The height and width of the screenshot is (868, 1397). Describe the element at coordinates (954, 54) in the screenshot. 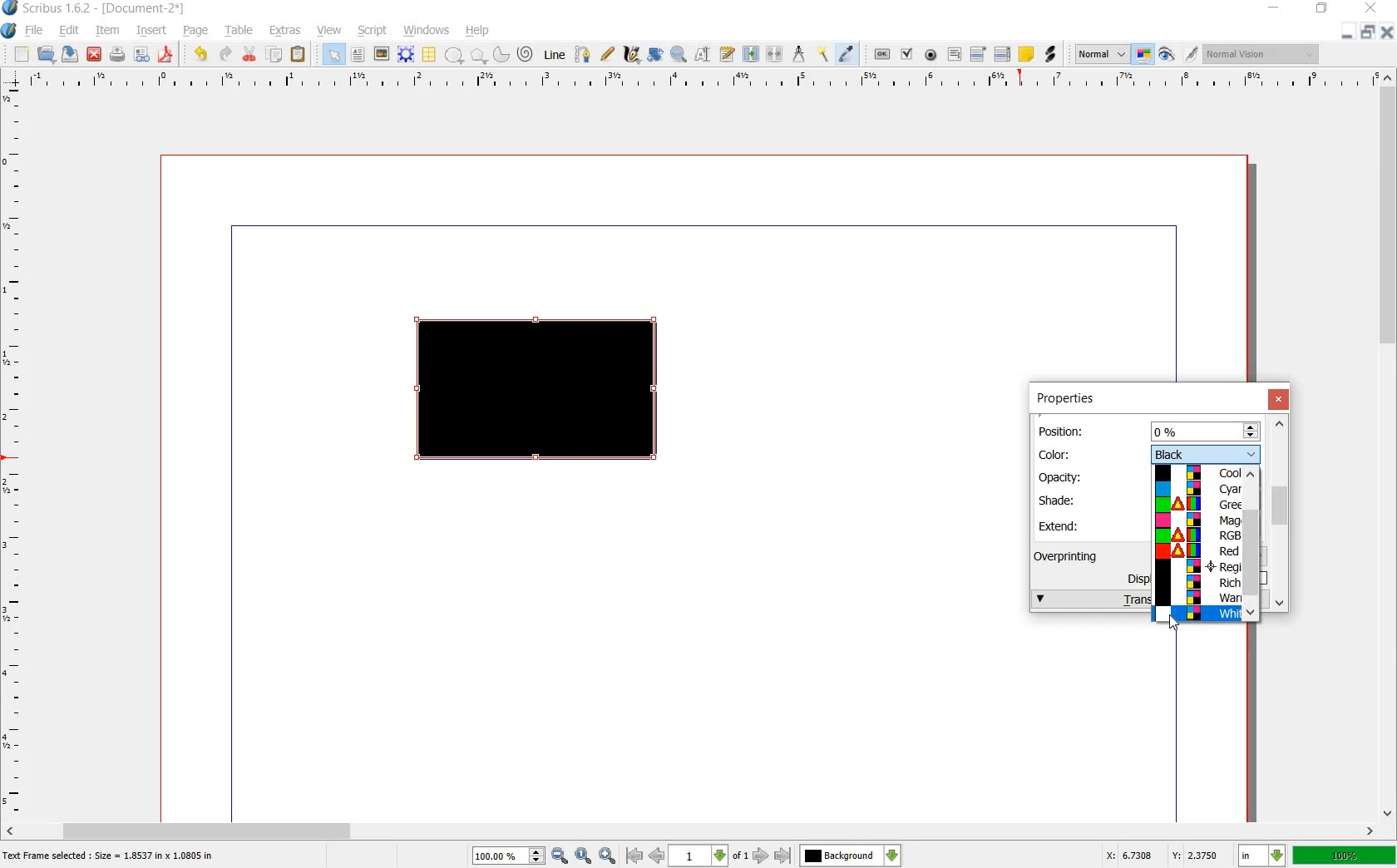

I see `pdf text field` at that location.